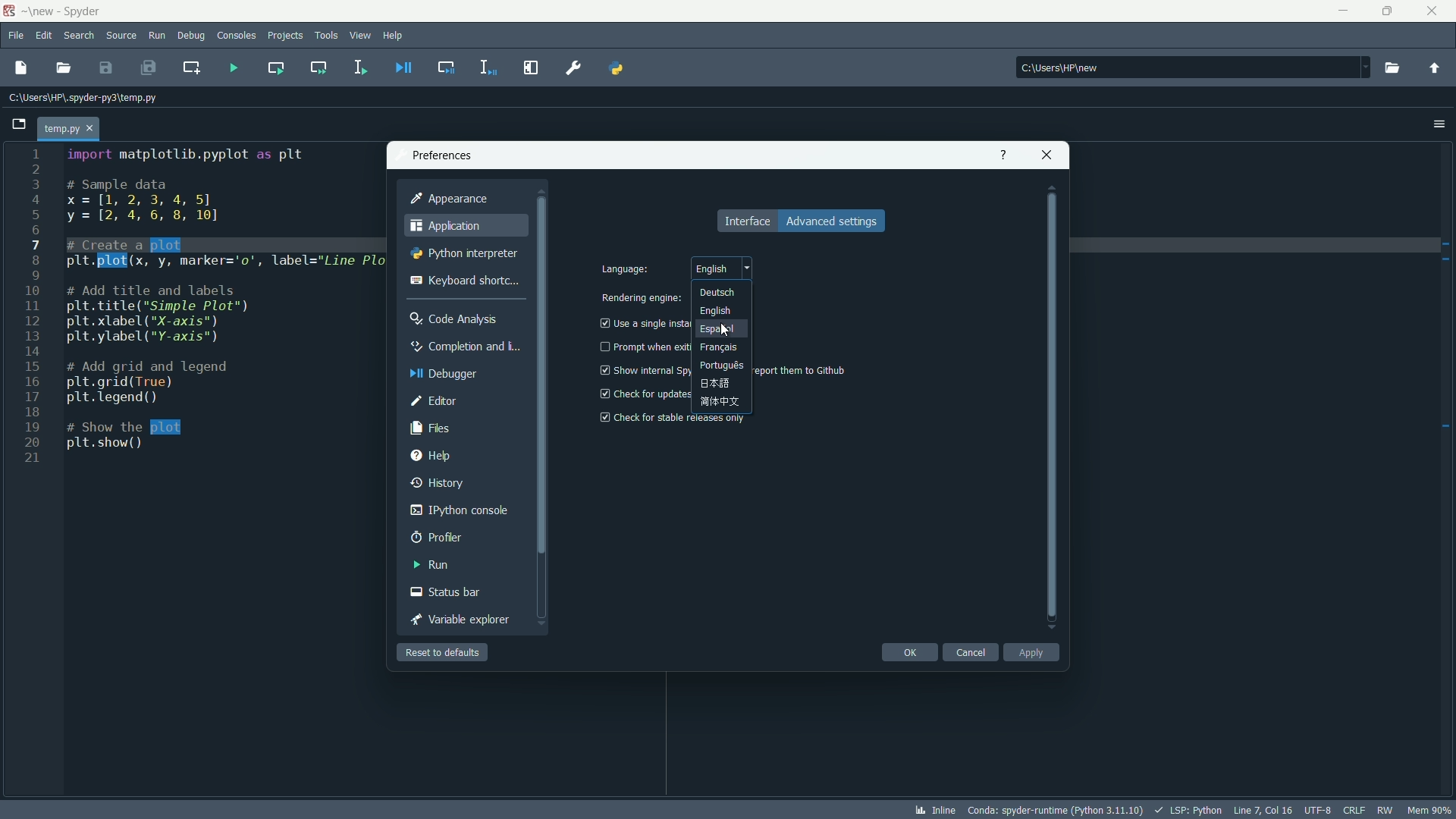 The width and height of the screenshot is (1456, 819). What do you see at coordinates (450, 199) in the screenshot?
I see `appearance` at bounding box center [450, 199].